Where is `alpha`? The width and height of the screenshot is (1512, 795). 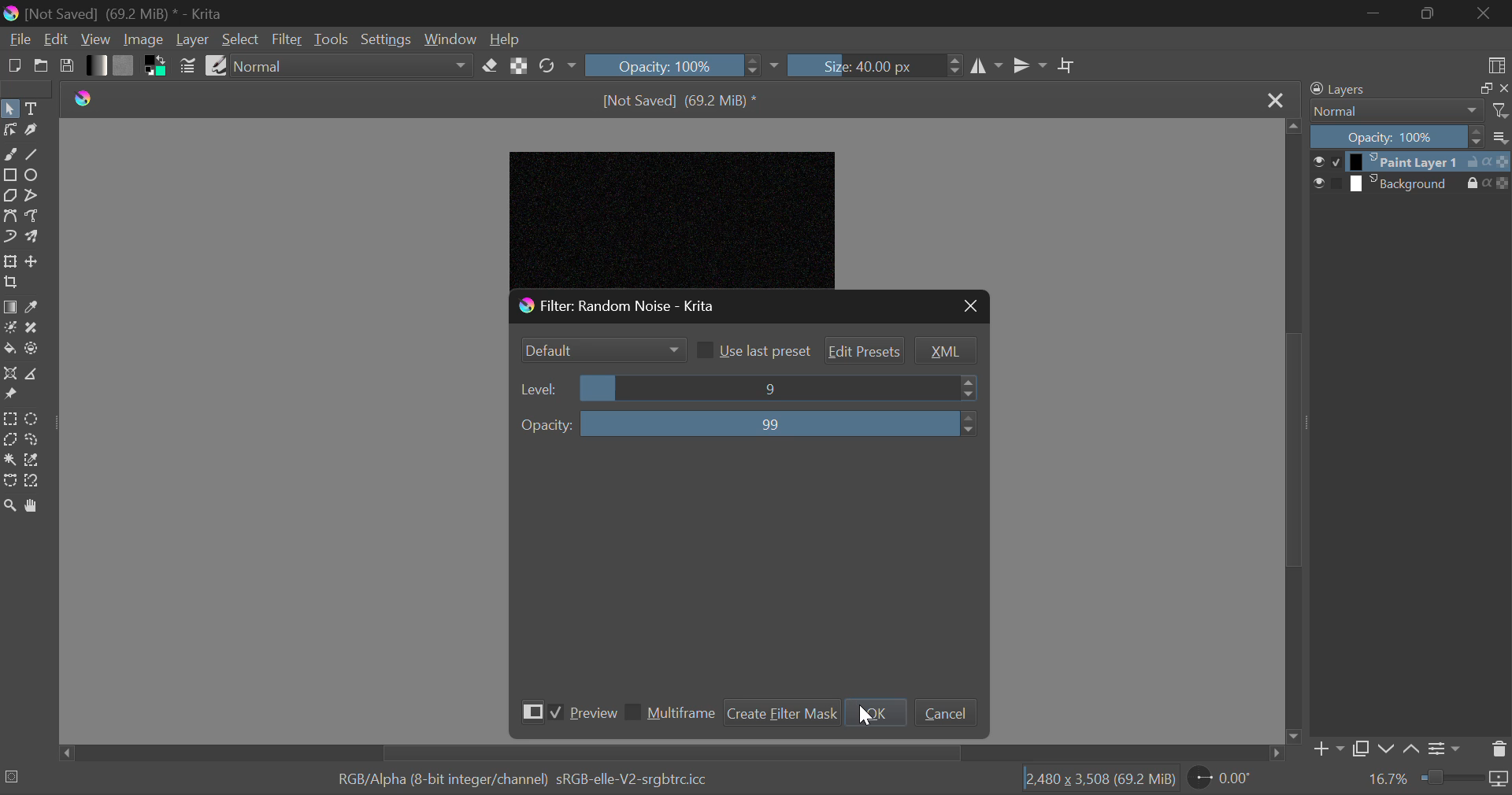 alpha is located at coordinates (1481, 184).